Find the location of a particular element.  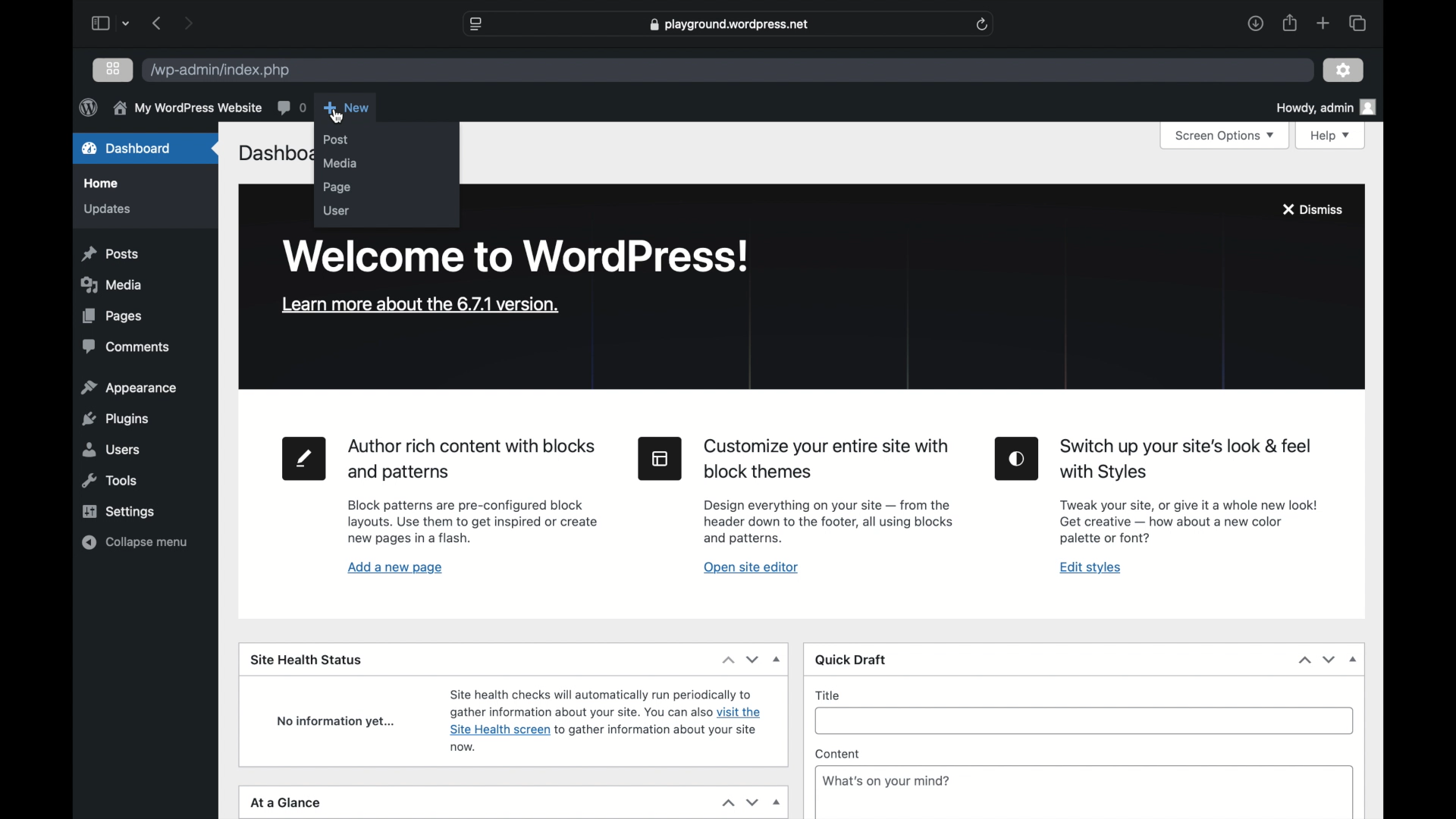

refresh is located at coordinates (983, 24).